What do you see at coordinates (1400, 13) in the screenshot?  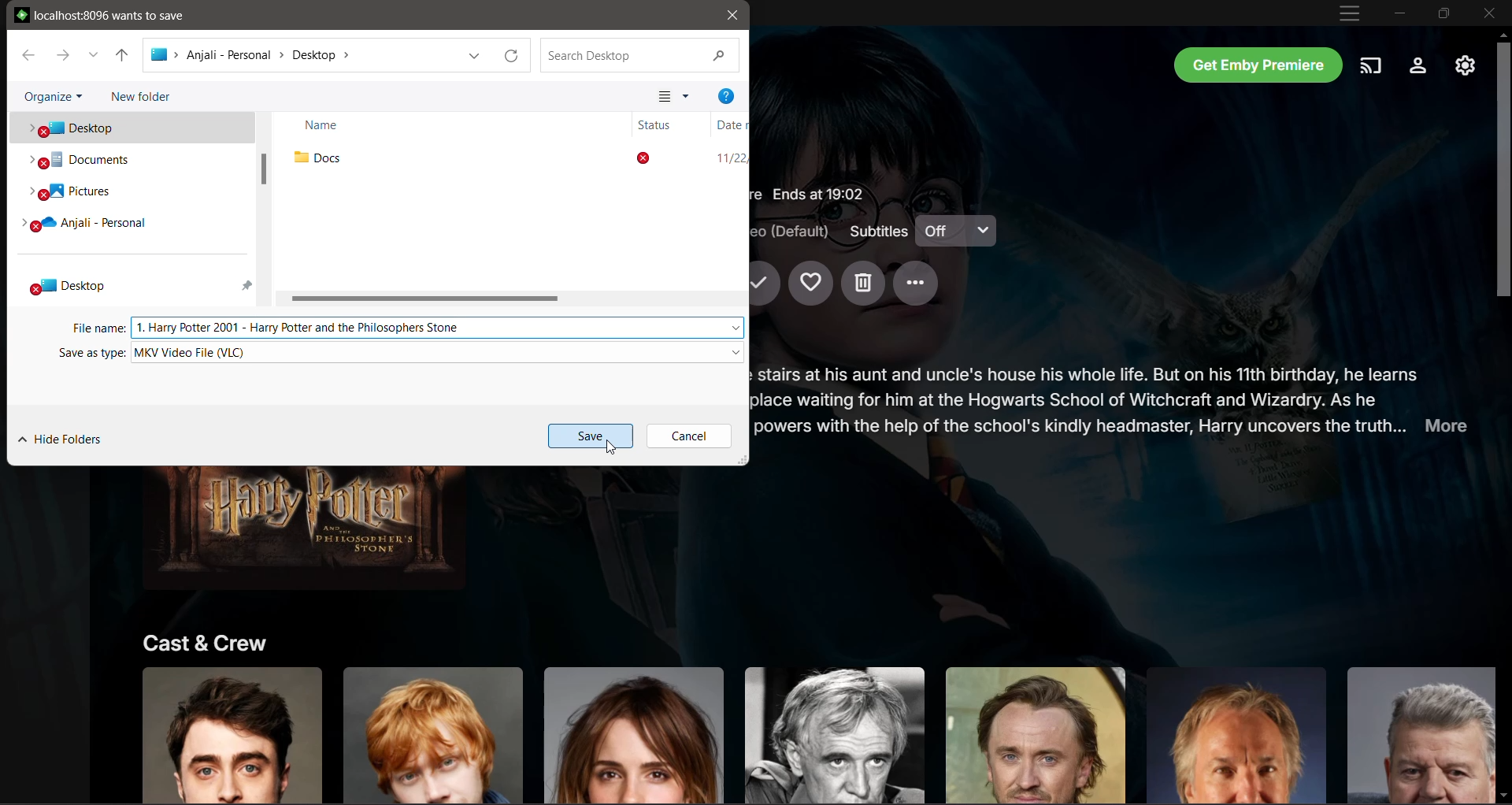 I see `Minimize` at bounding box center [1400, 13].